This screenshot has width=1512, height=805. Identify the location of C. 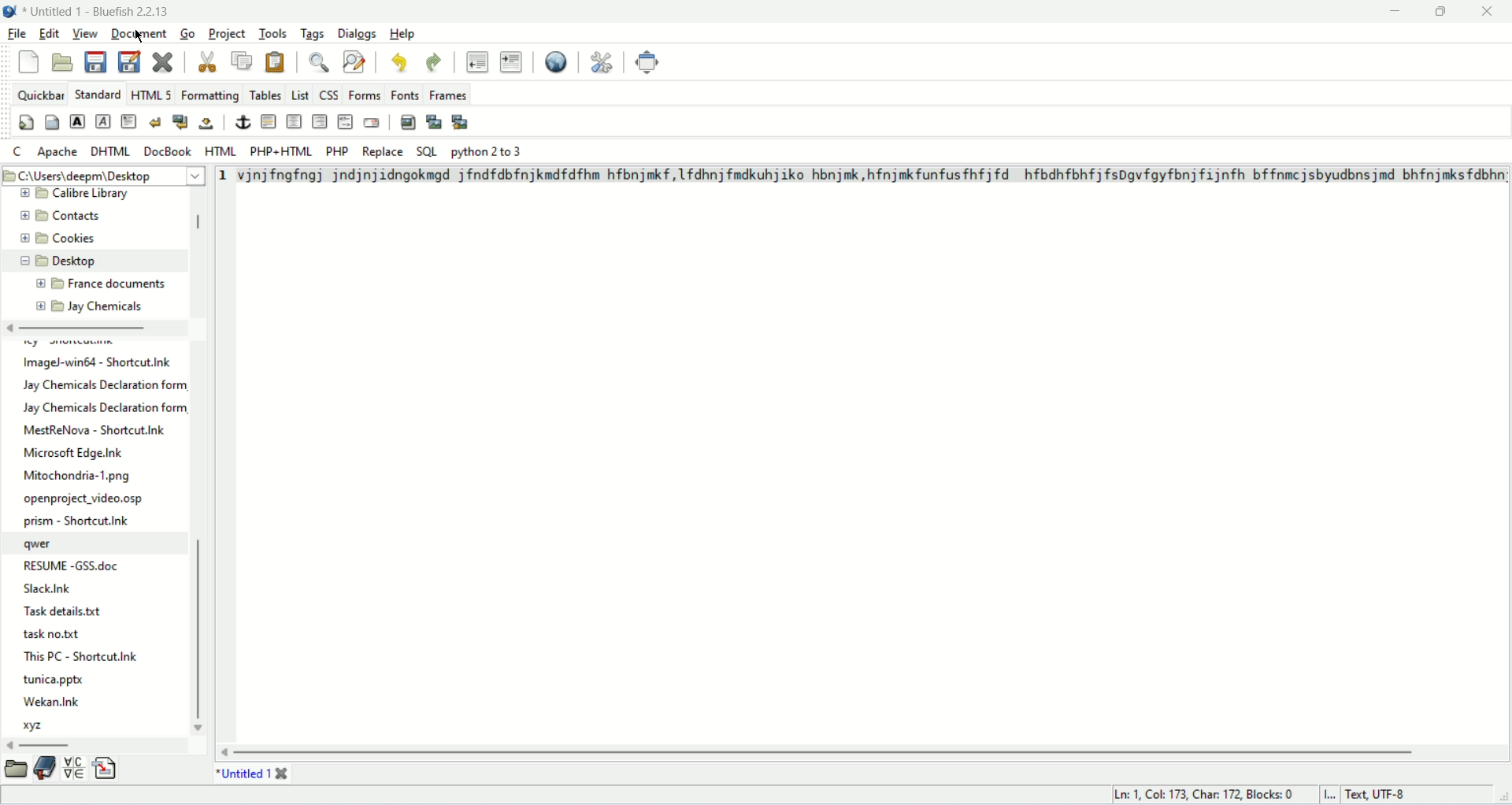
(20, 151).